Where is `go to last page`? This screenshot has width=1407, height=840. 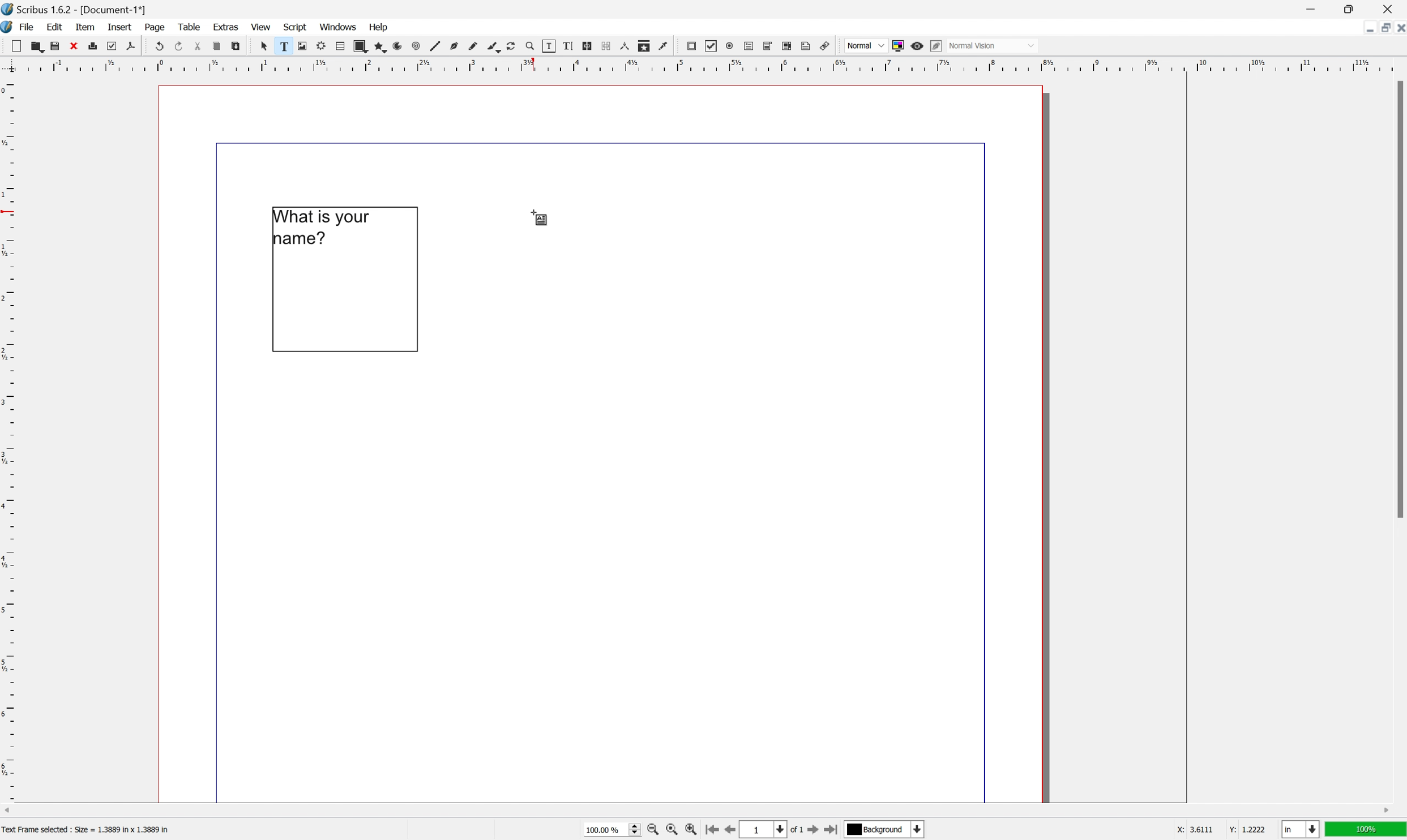 go to last page is located at coordinates (835, 832).